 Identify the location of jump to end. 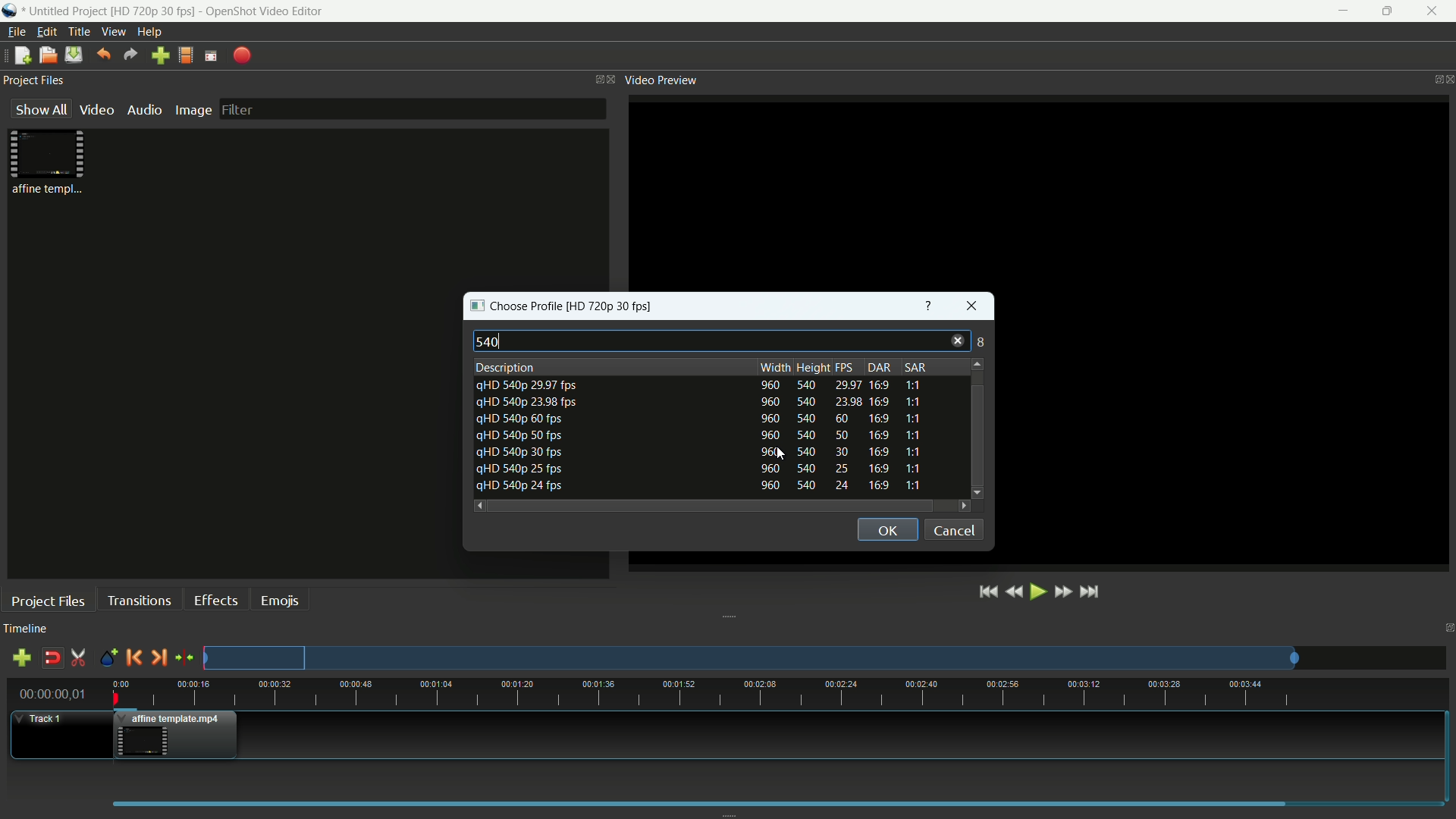
(1093, 592).